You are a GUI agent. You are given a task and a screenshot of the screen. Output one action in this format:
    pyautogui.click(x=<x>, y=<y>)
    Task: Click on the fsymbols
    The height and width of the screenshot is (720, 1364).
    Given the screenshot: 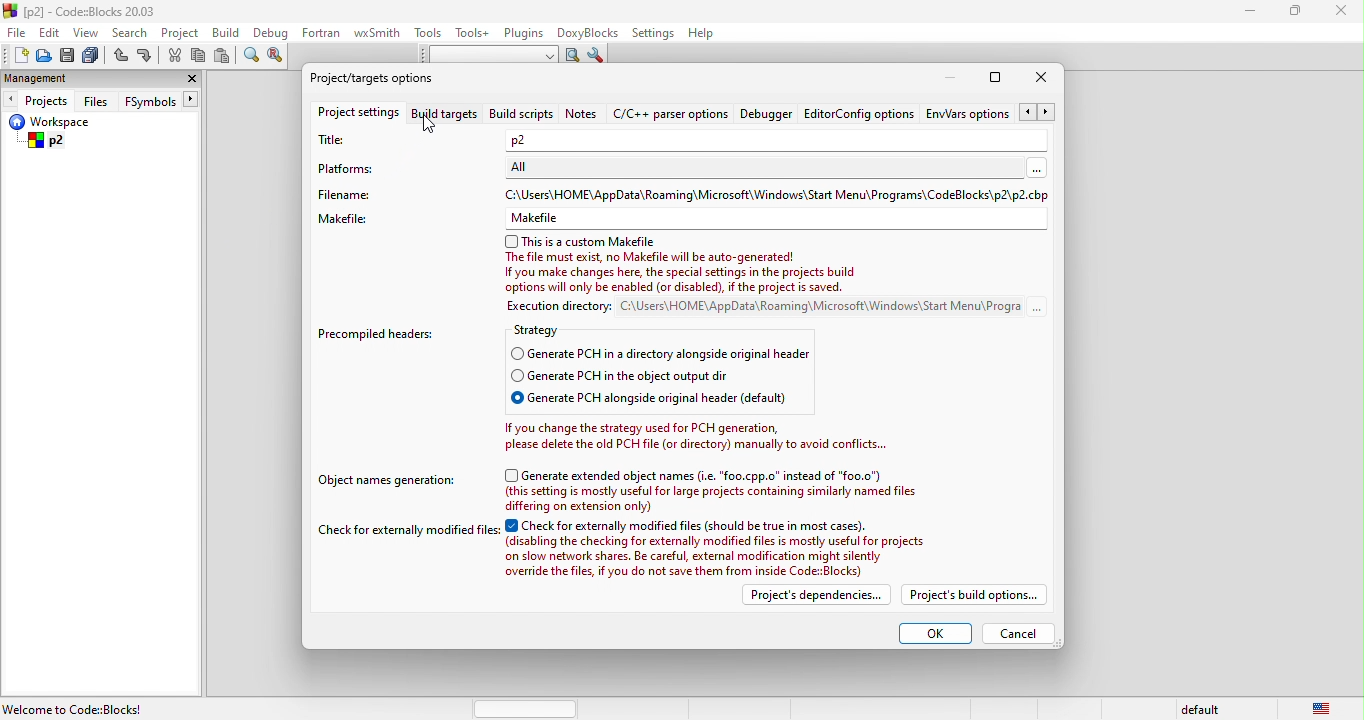 What is the action you would take?
    pyautogui.click(x=166, y=100)
    